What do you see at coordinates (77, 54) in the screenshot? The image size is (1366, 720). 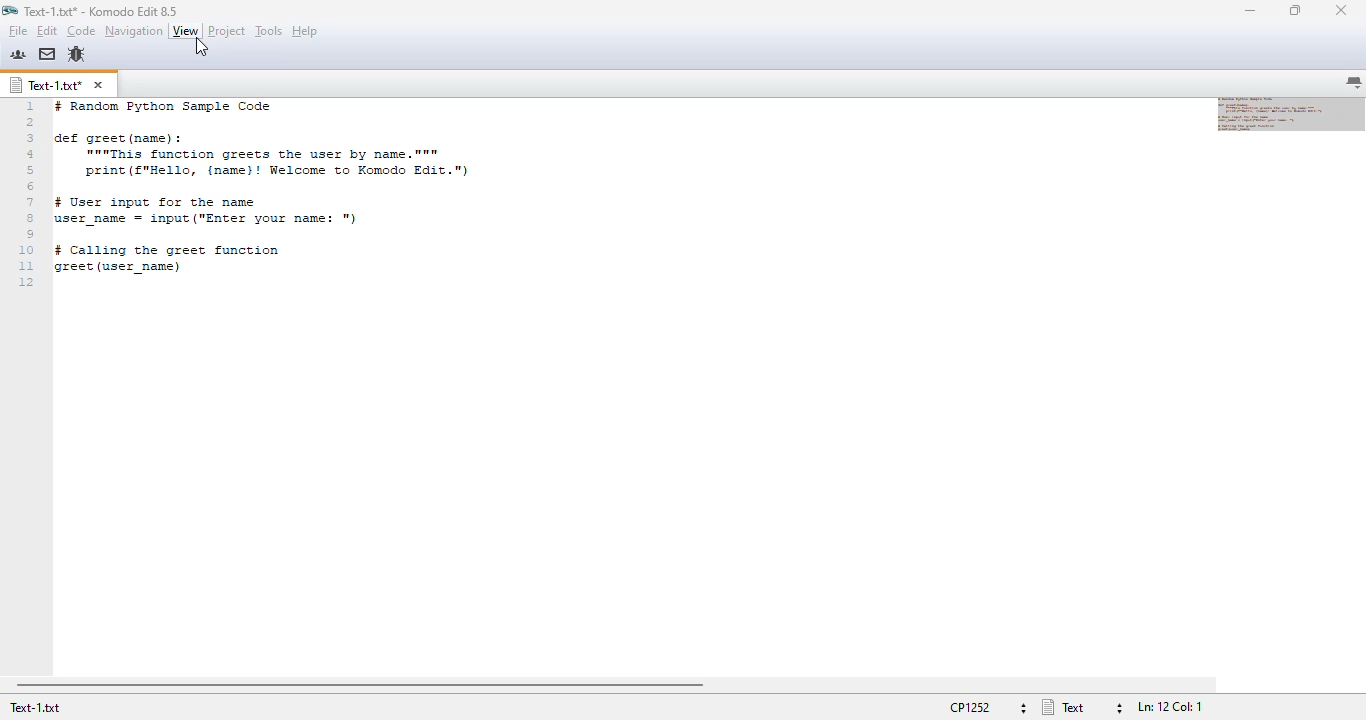 I see `report a bug in the komodo bugzilla database` at bounding box center [77, 54].